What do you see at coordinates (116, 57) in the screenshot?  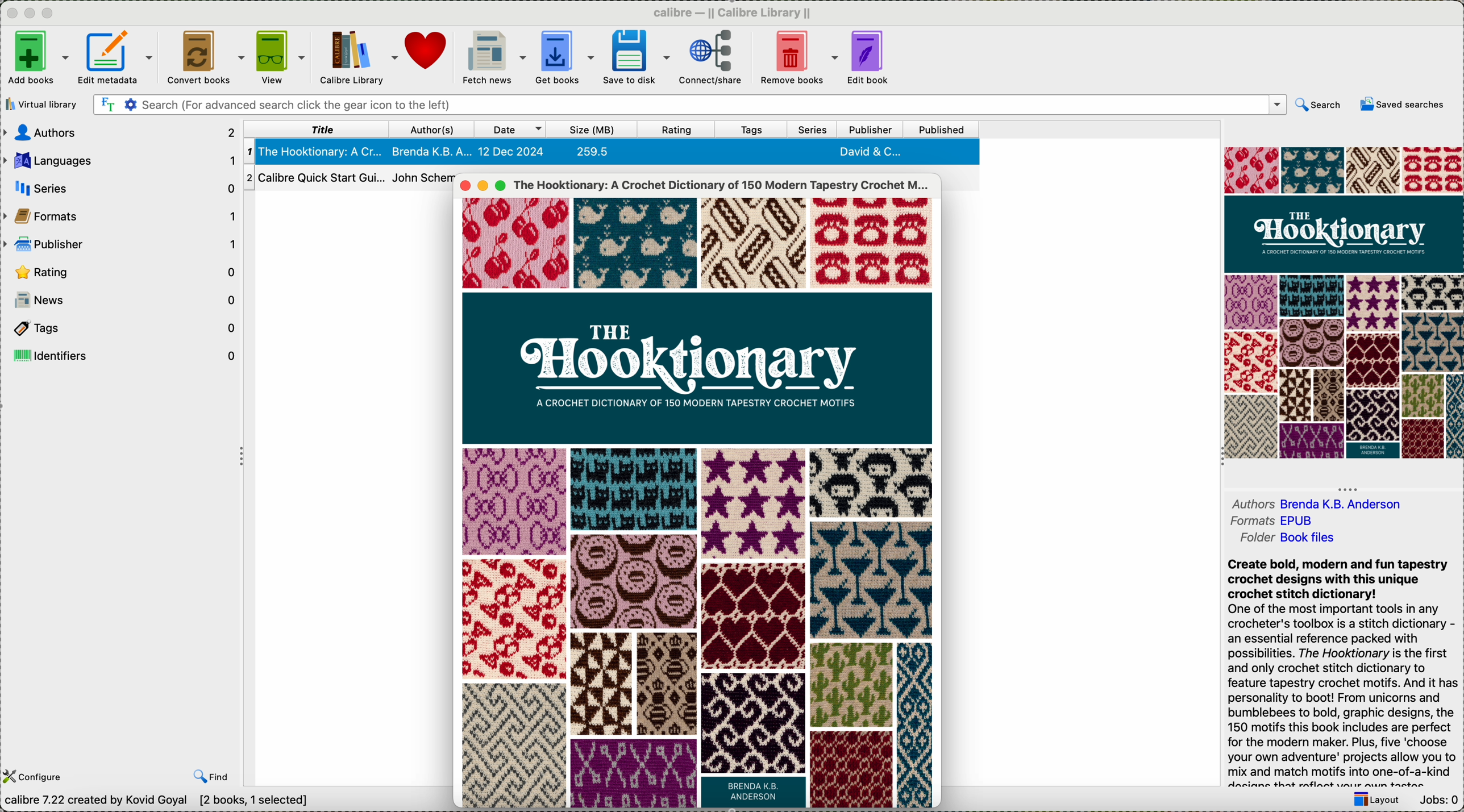 I see `edit metadata` at bounding box center [116, 57].